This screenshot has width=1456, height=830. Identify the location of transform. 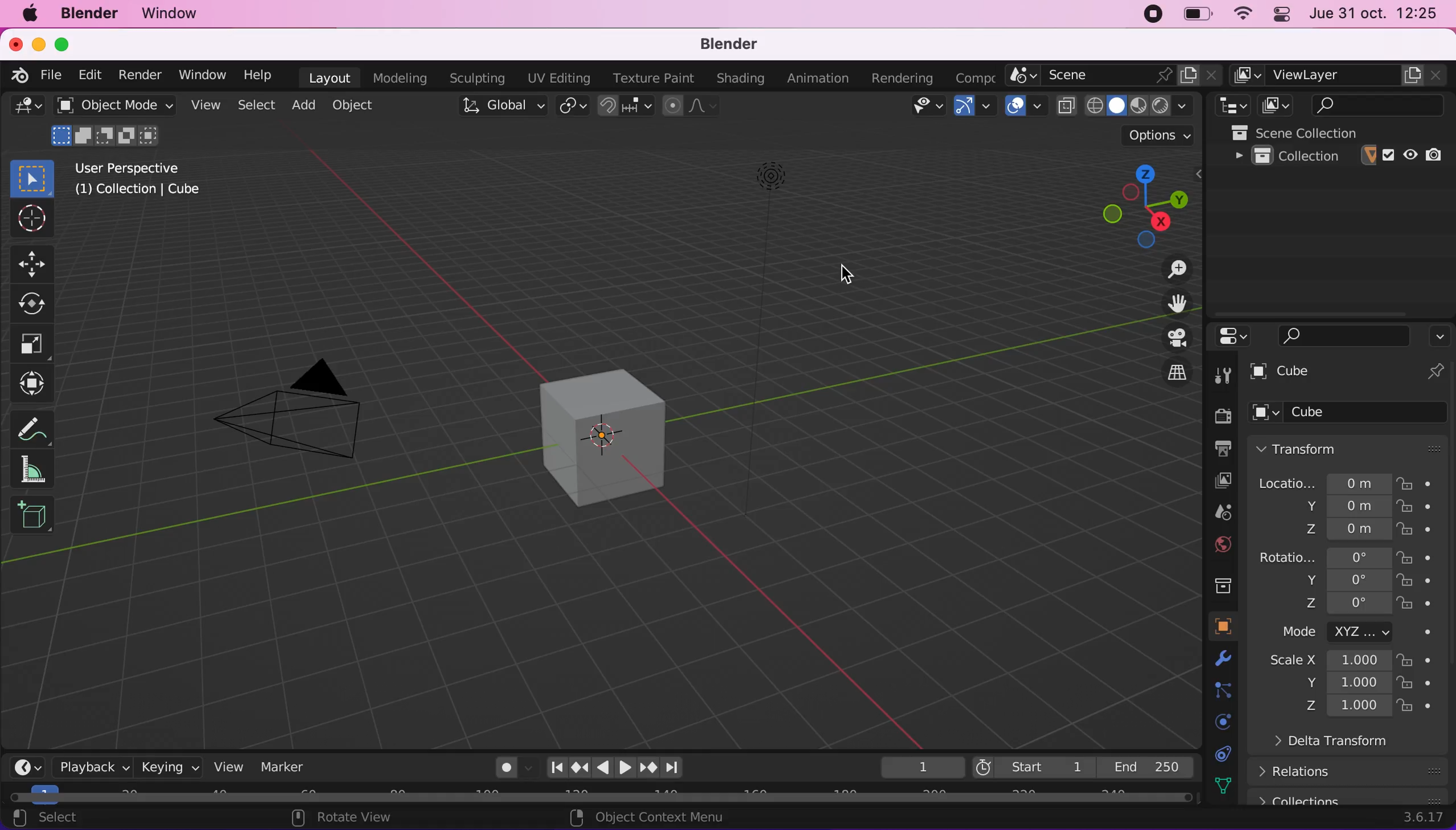
(1351, 447).